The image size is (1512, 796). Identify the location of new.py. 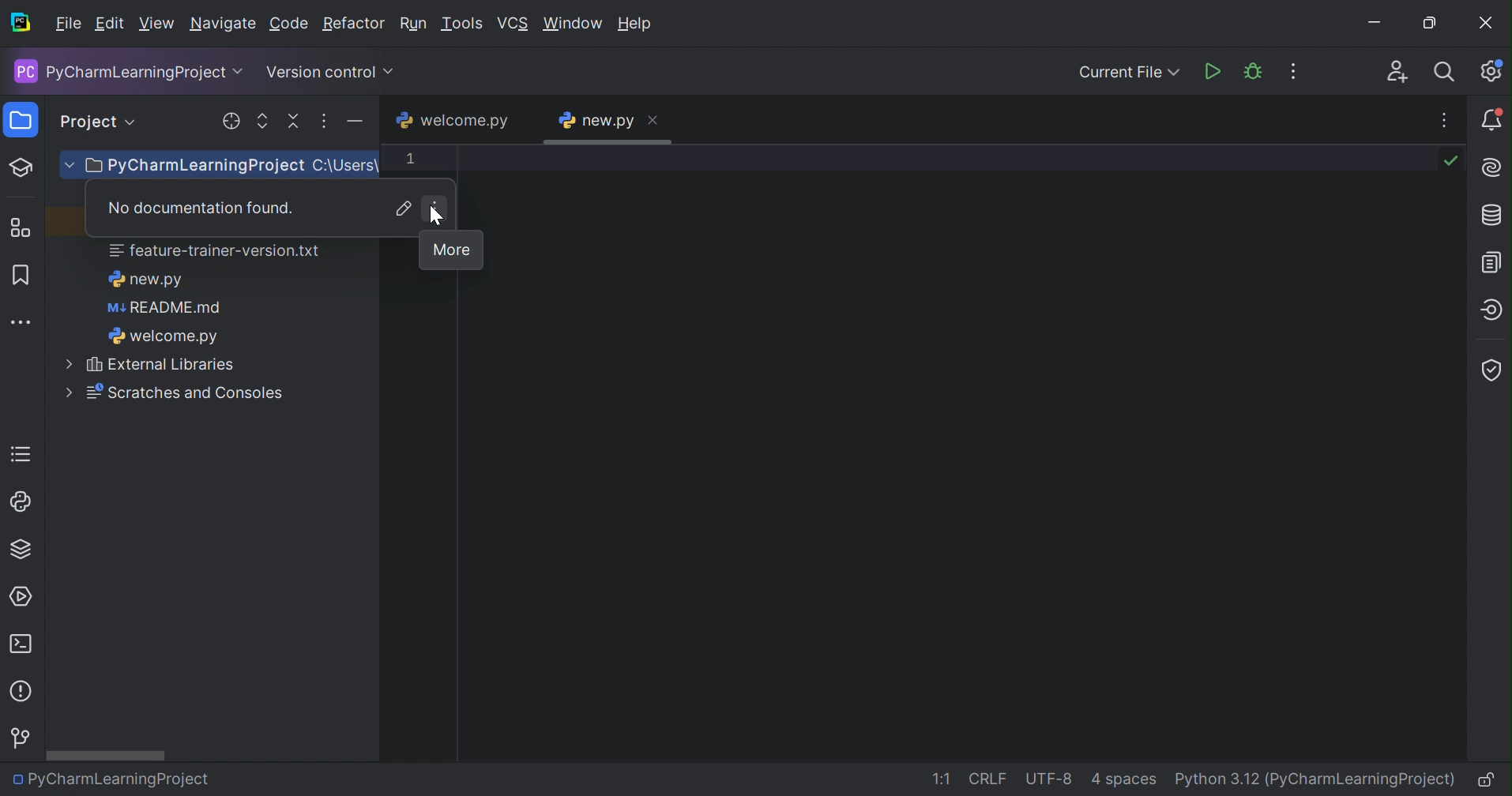
(145, 280).